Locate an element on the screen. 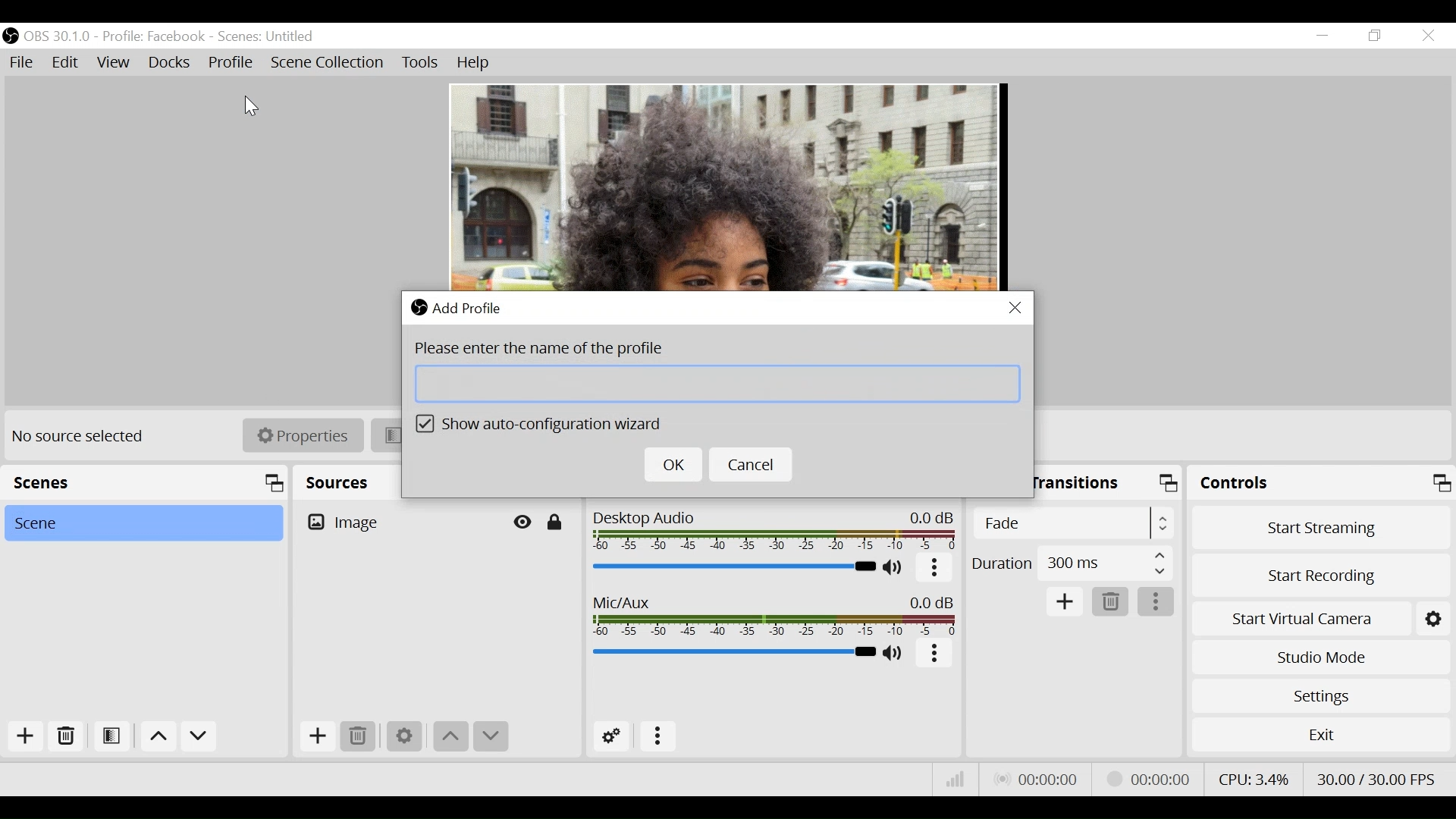 Image resolution: width=1456 pixels, height=819 pixels. Settings is located at coordinates (403, 737).